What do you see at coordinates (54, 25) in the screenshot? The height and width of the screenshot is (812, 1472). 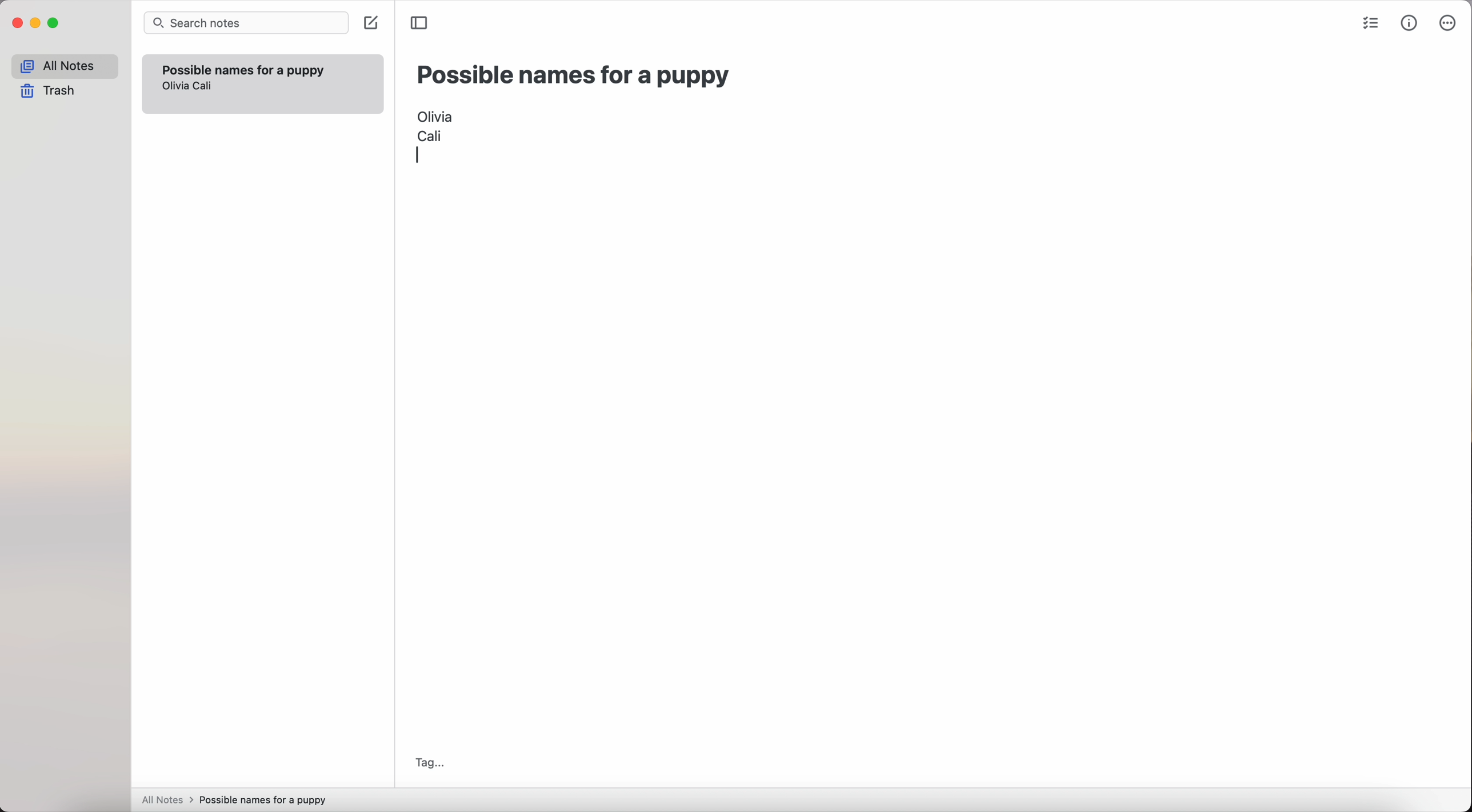 I see `maximize` at bounding box center [54, 25].